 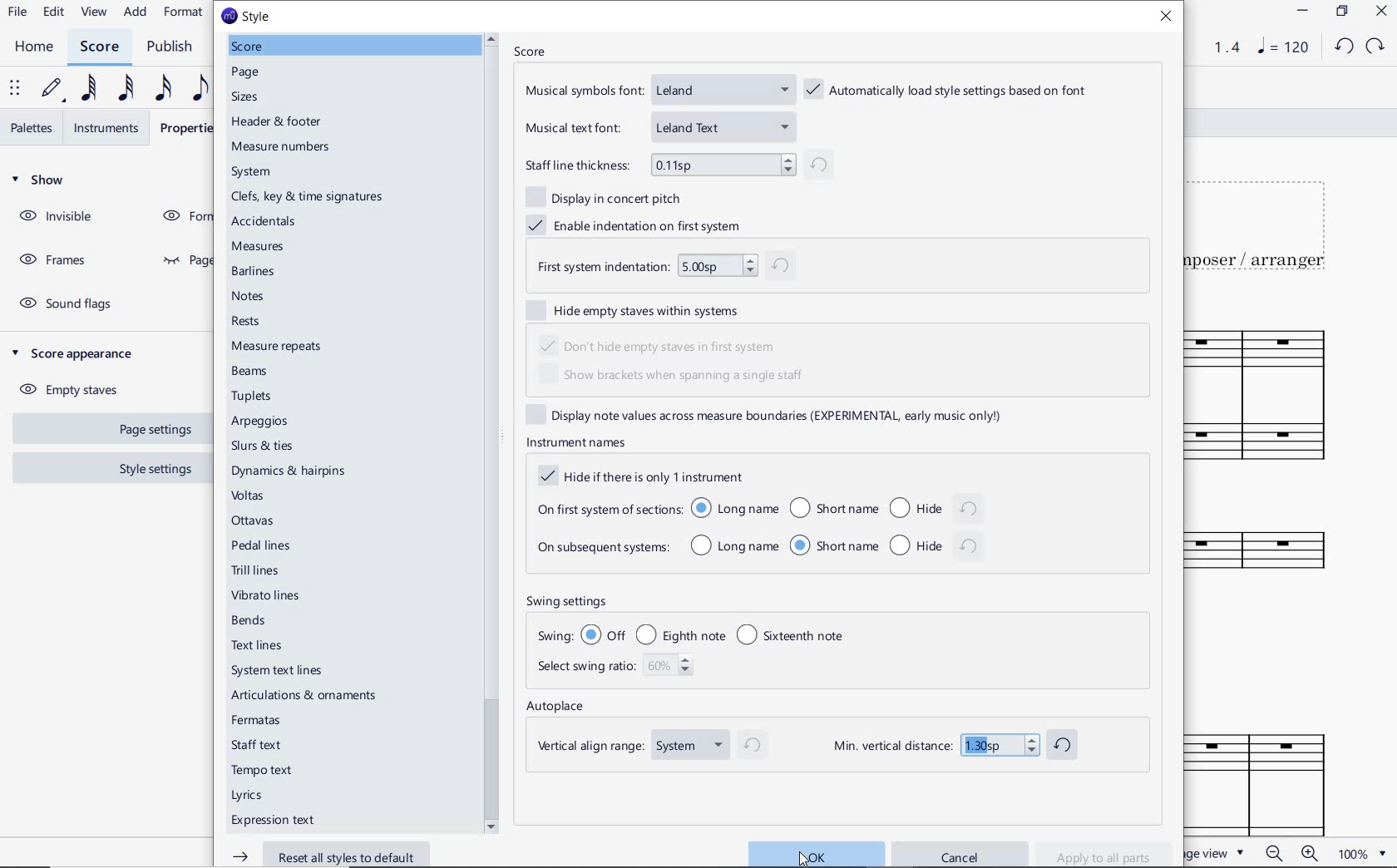 What do you see at coordinates (306, 697) in the screenshot?
I see `articulations & ornaments` at bounding box center [306, 697].